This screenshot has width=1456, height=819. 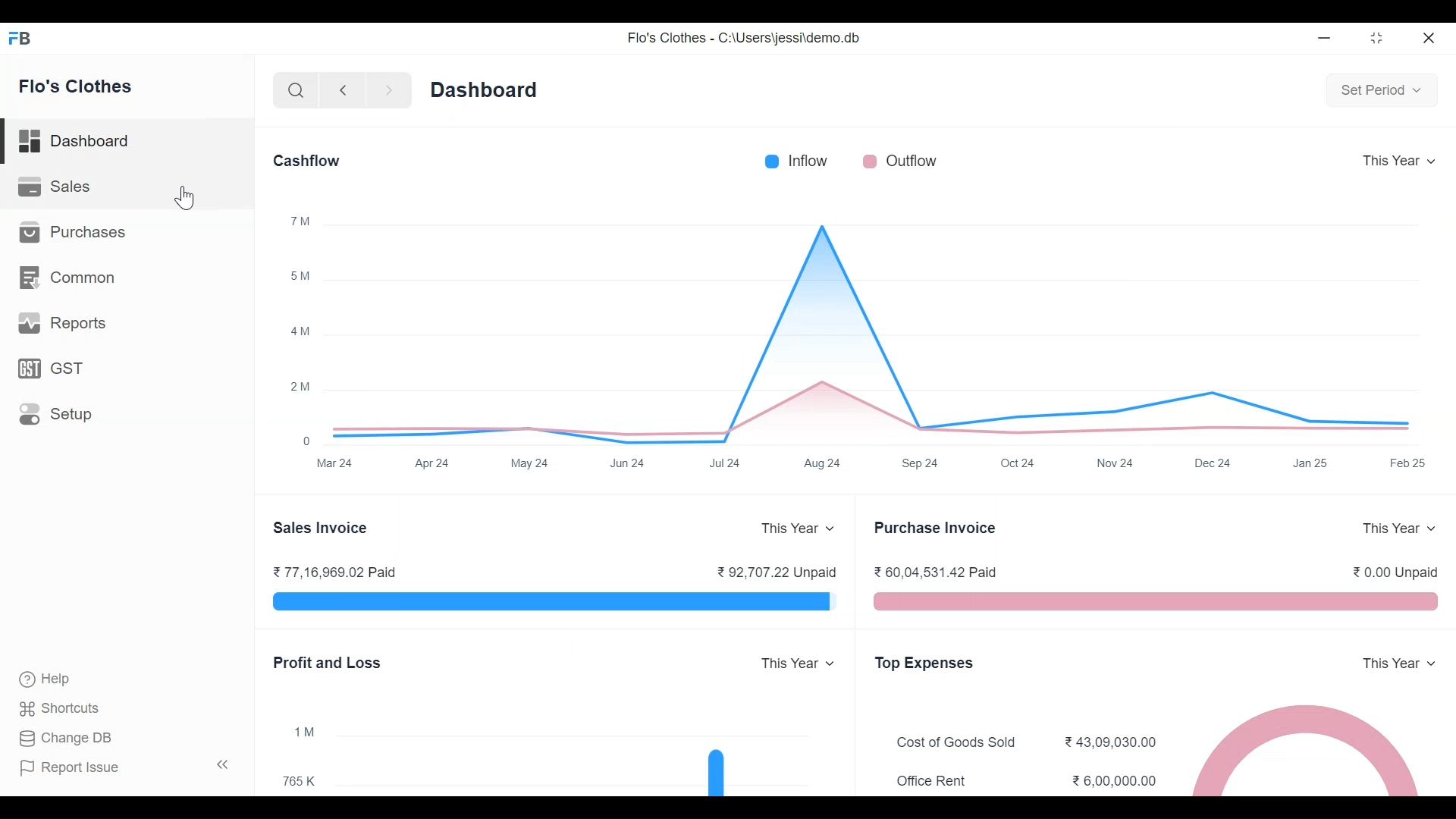 What do you see at coordinates (908, 160) in the screenshot?
I see `Outflow` at bounding box center [908, 160].